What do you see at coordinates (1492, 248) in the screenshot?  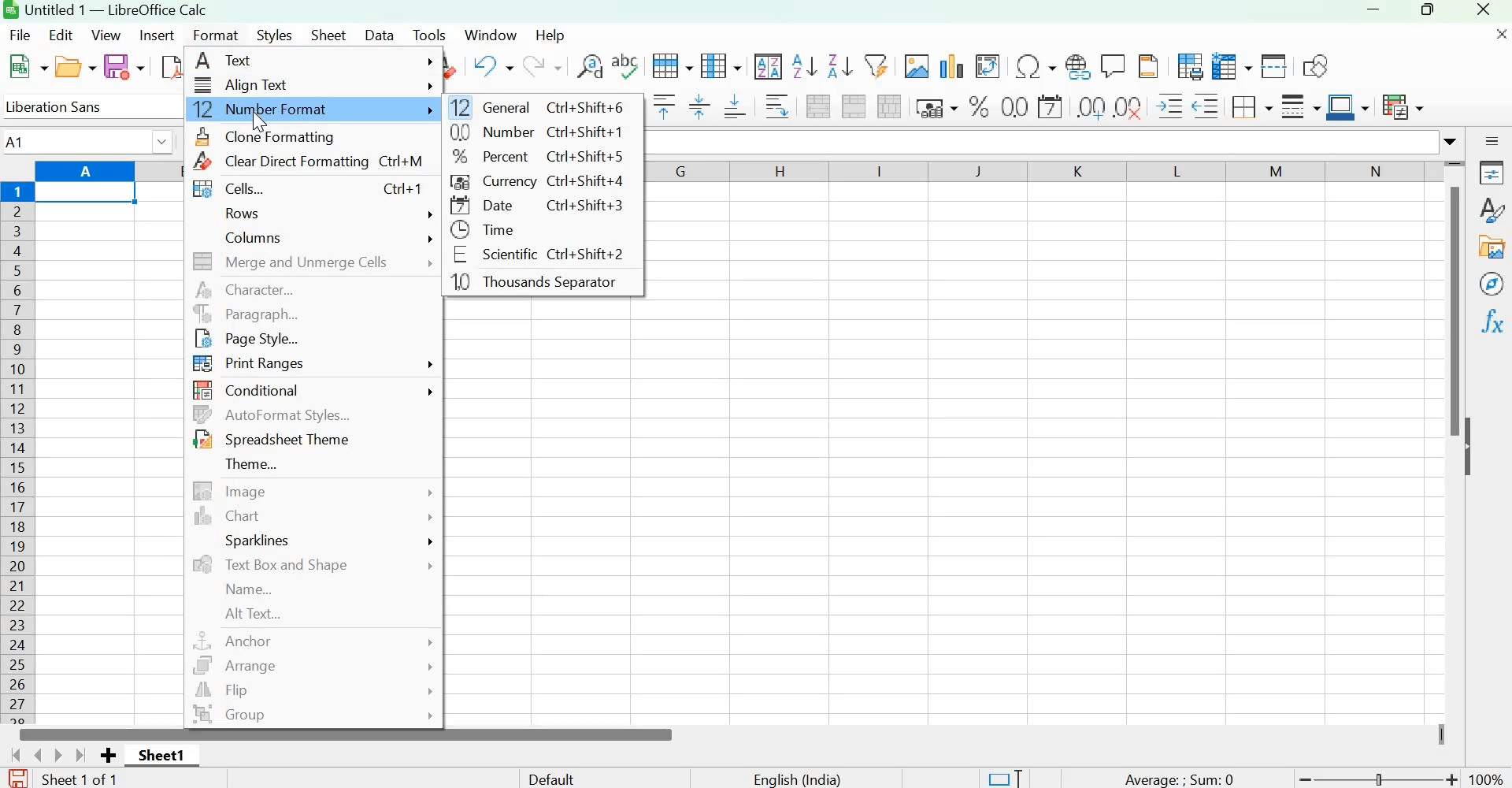 I see `Gallery` at bounding box center [1492, 248].